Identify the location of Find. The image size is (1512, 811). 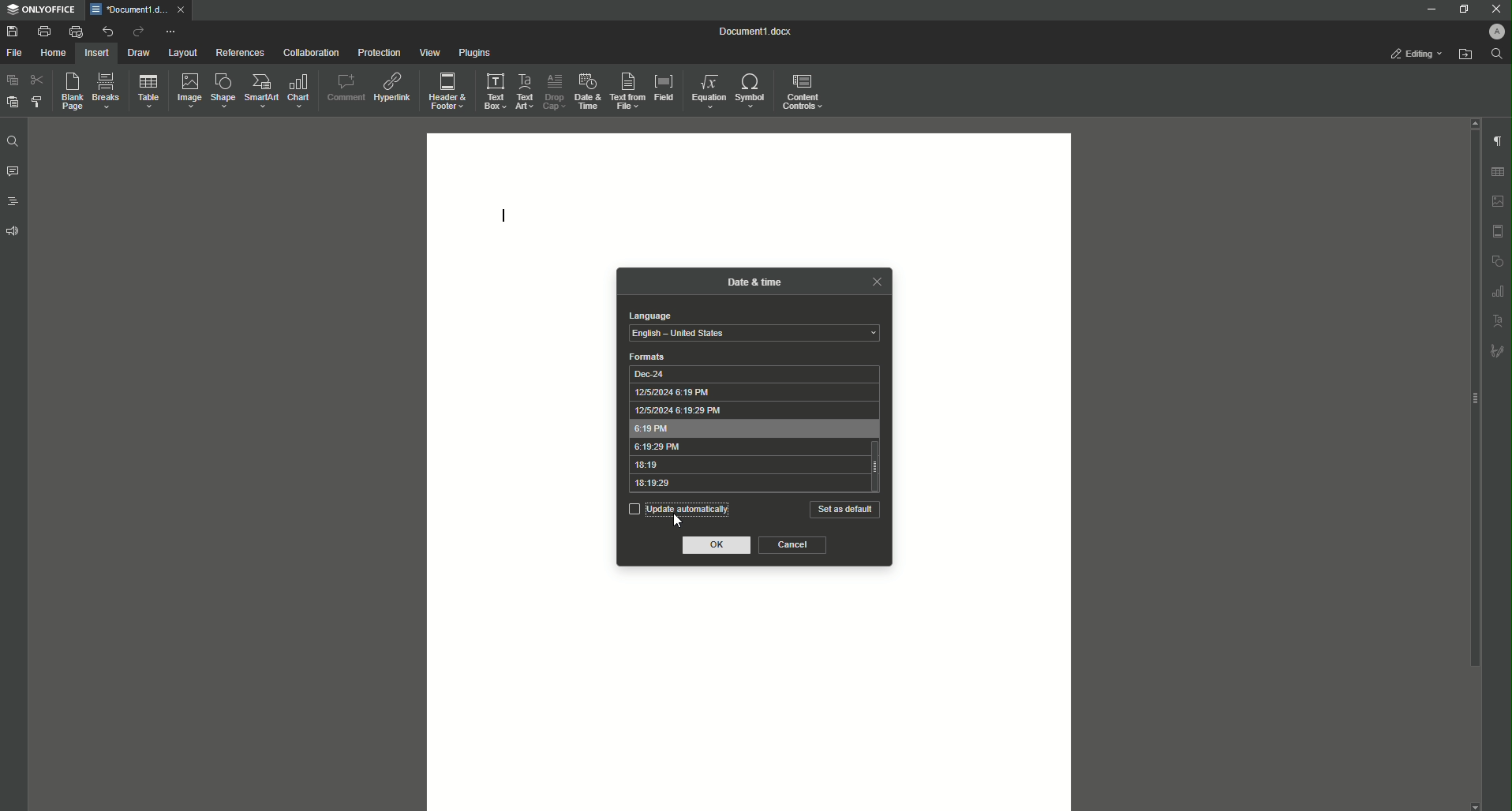
(1496, 54).